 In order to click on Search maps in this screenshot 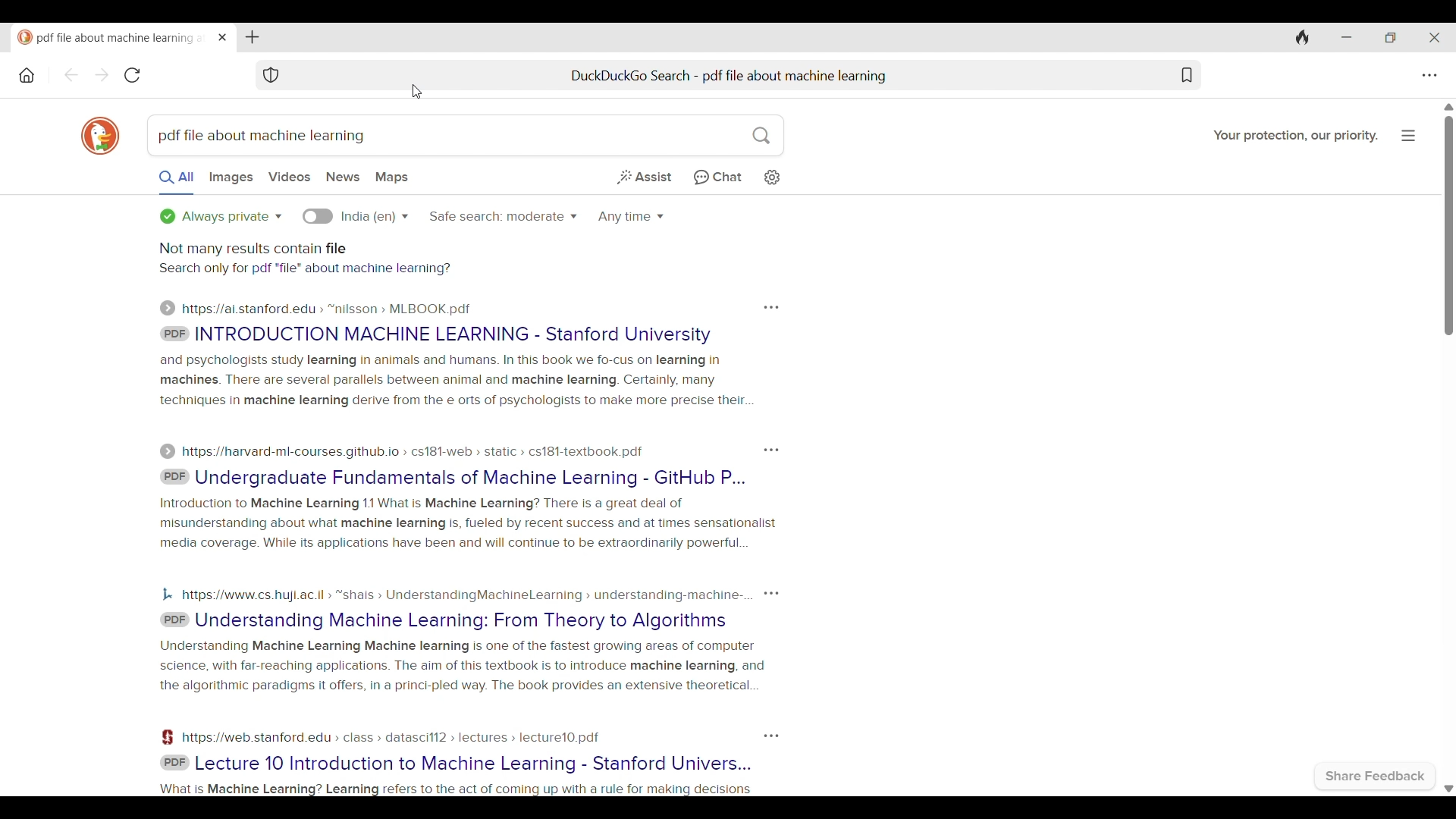, I will do `click(391, 177)`.